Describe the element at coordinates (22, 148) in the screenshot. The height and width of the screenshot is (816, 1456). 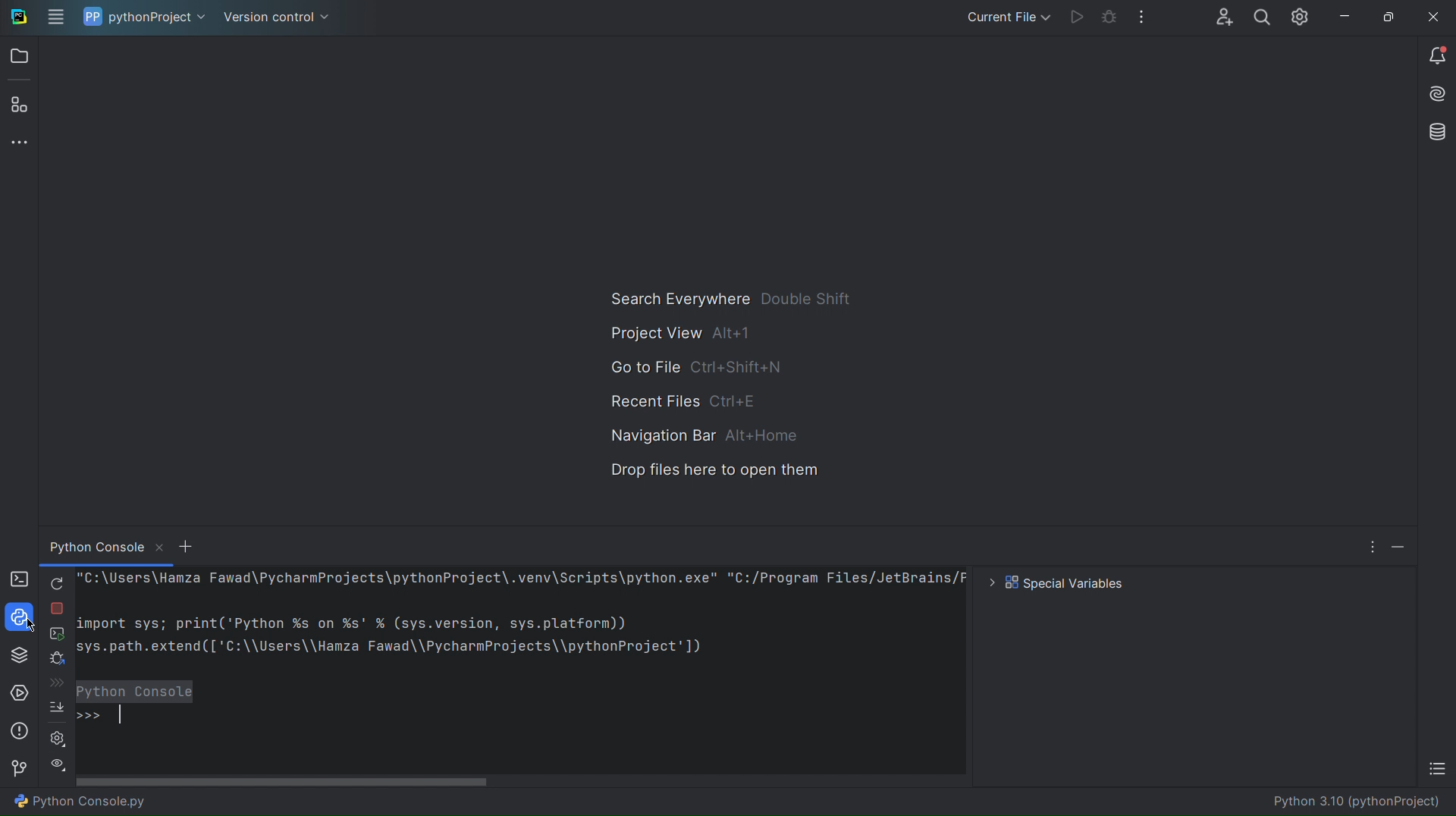
I see `More` at that location.